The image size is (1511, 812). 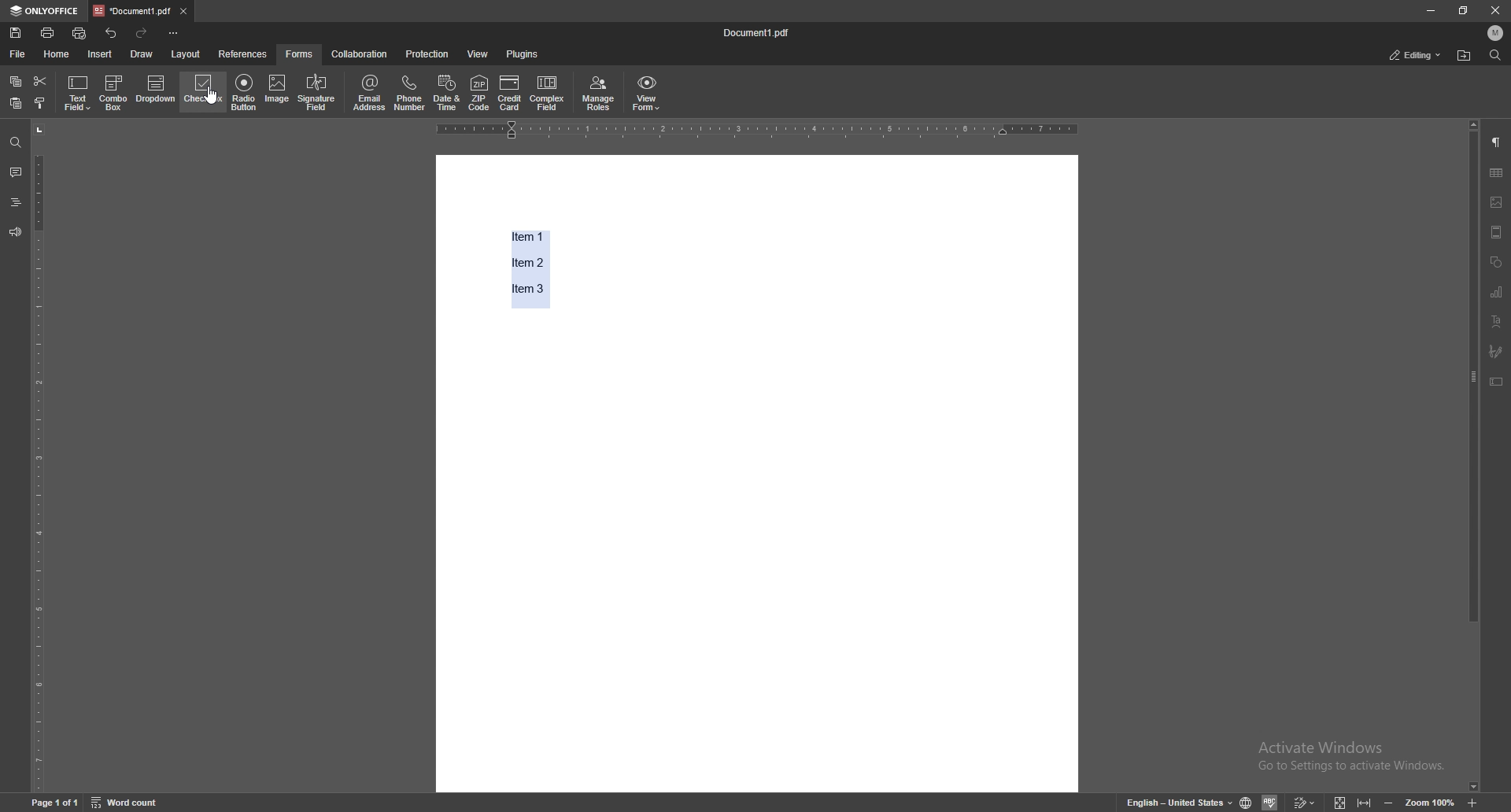 What do you see at coordinates (79, 34) in the screenshot?
I see `quick print` at bounding box center [79, 34].